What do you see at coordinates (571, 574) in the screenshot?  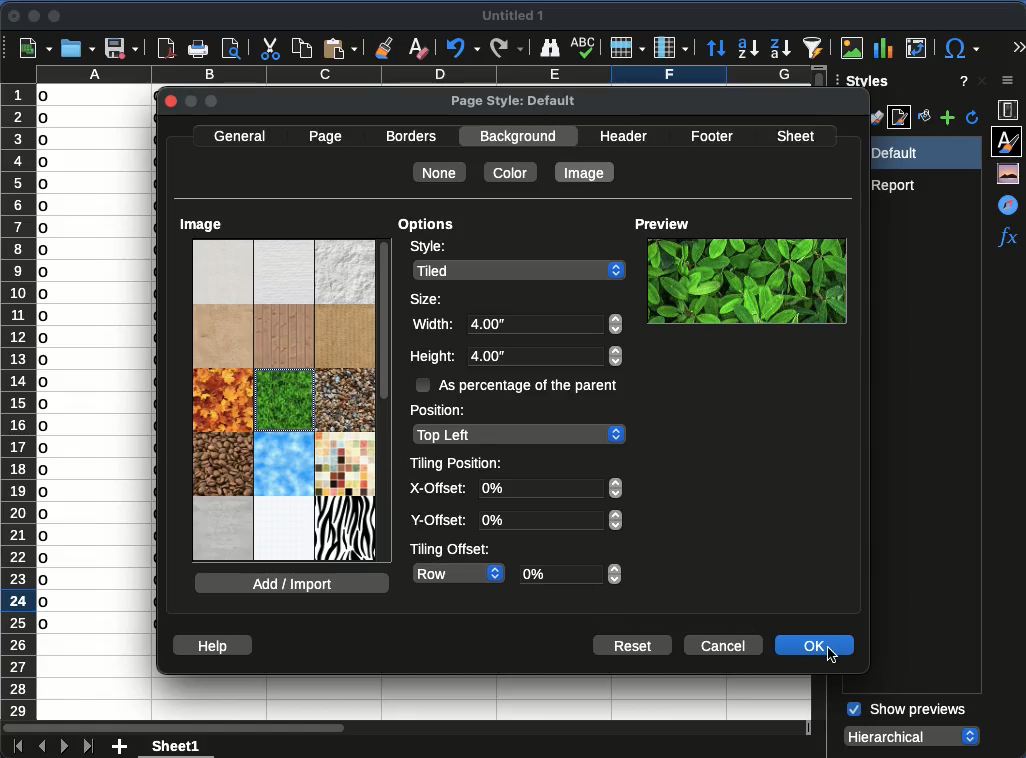 I see `0%` at bounding box center [571, 574].